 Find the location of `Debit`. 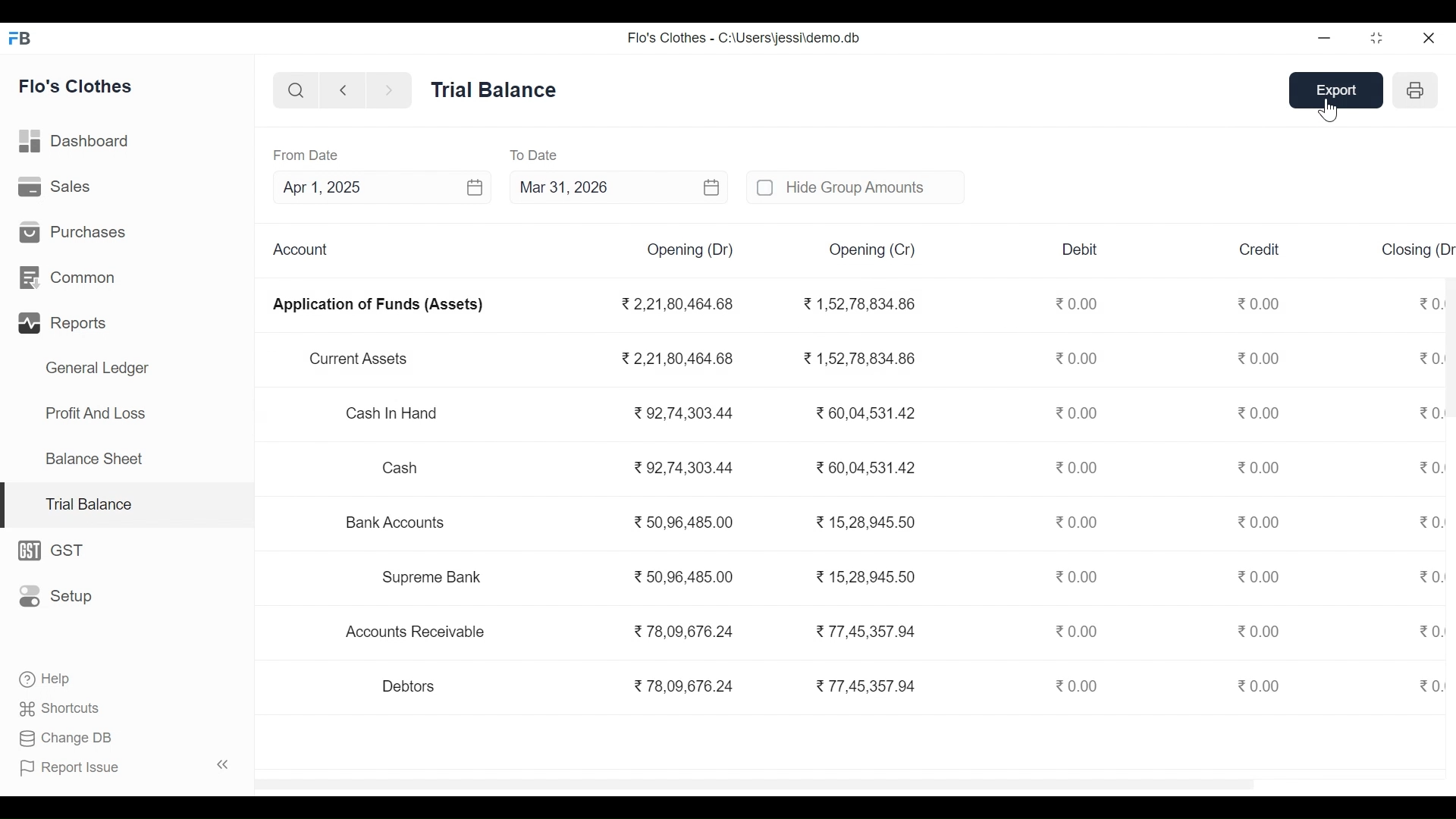

Debit is located at coordinates (1081, 249).